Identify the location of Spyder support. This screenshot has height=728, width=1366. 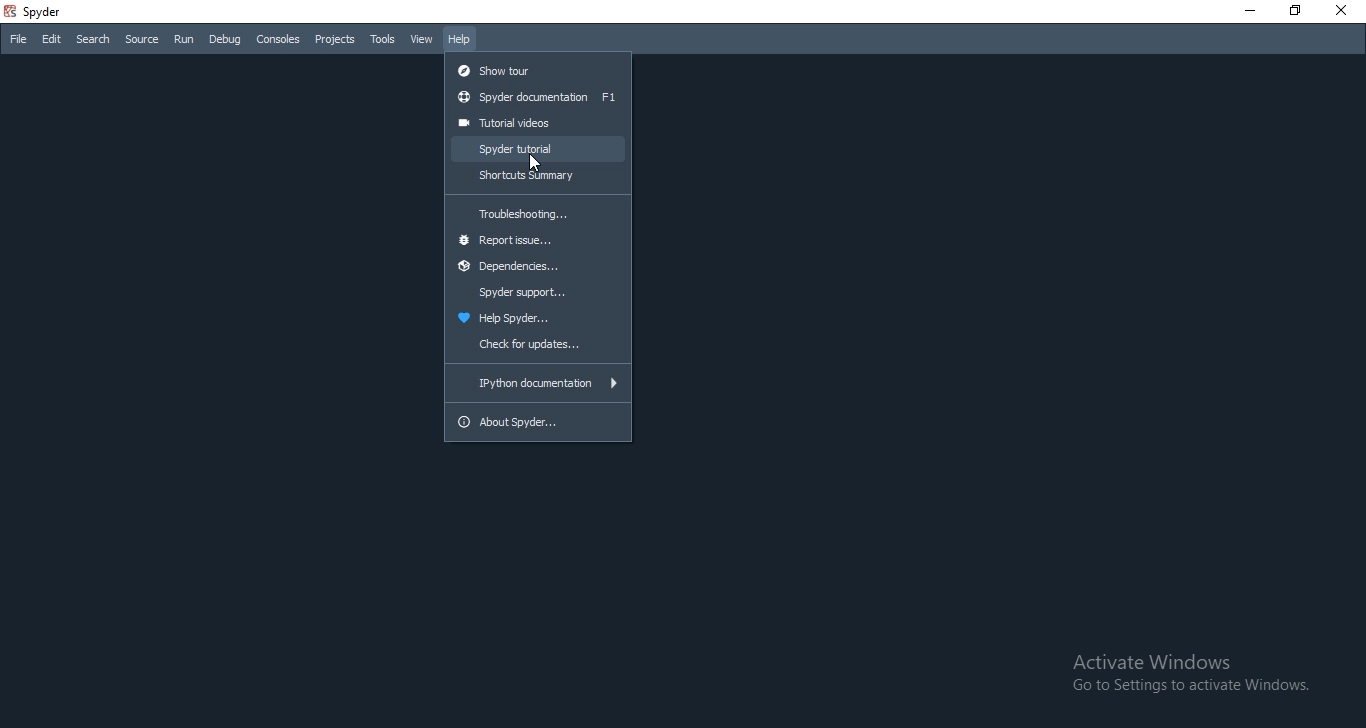
(538, 294).